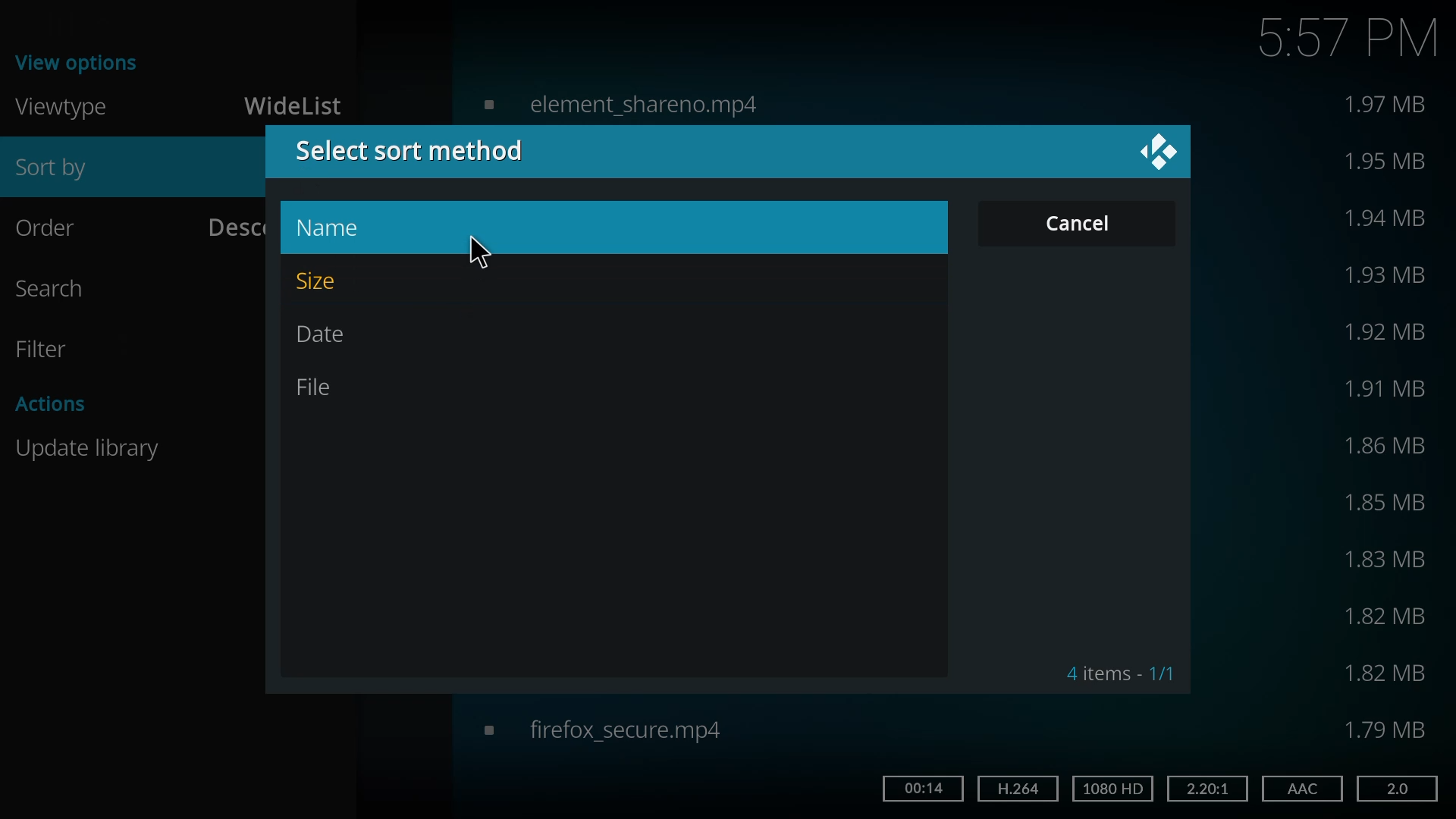 Image resolution: width=1456 pixels, height=819 pixels. Describe the element at coordinates (321, 385) in the screenshot. I see `file` at that location.